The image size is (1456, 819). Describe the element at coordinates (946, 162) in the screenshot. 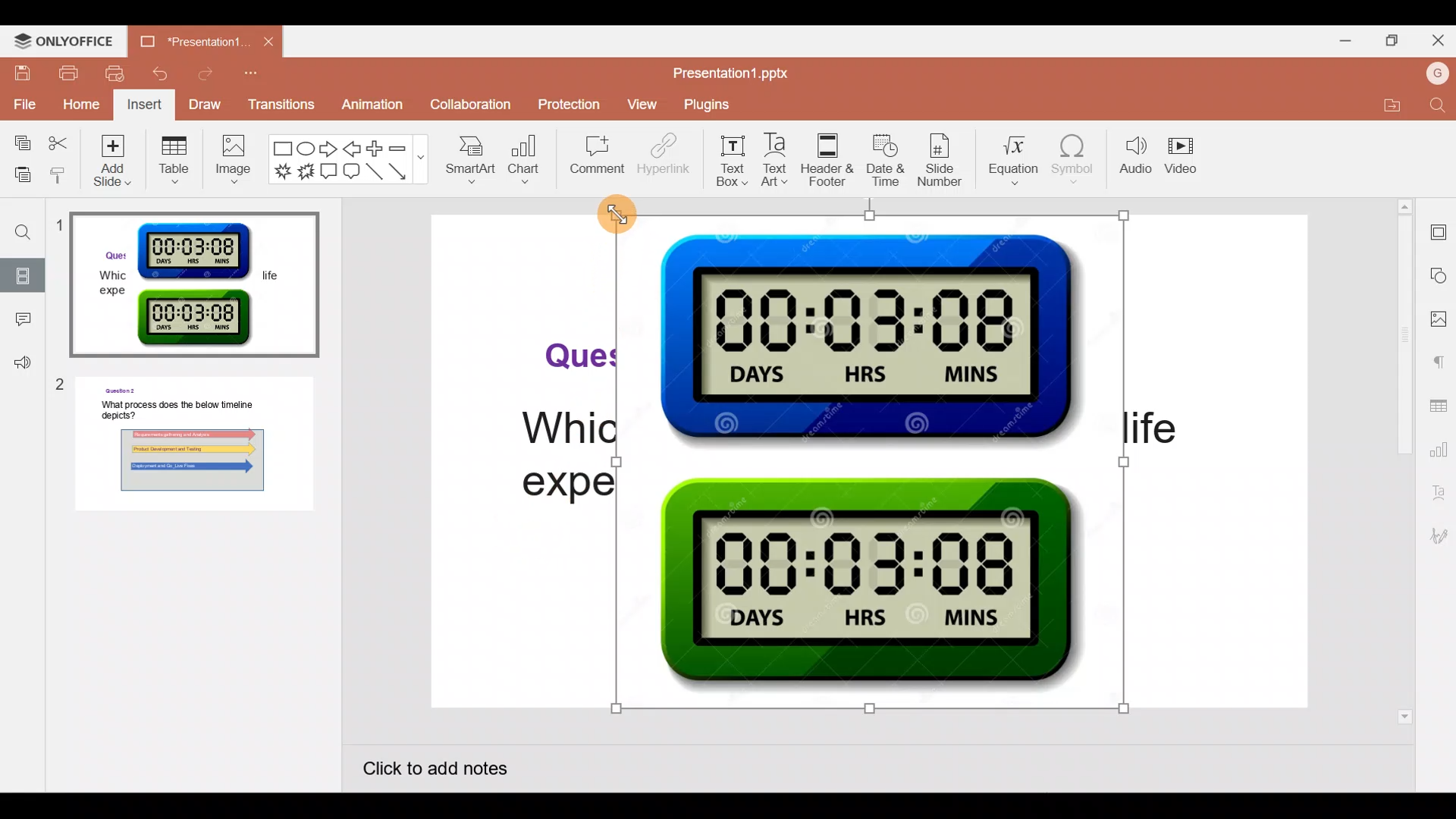

I see `Slide number` at that location.